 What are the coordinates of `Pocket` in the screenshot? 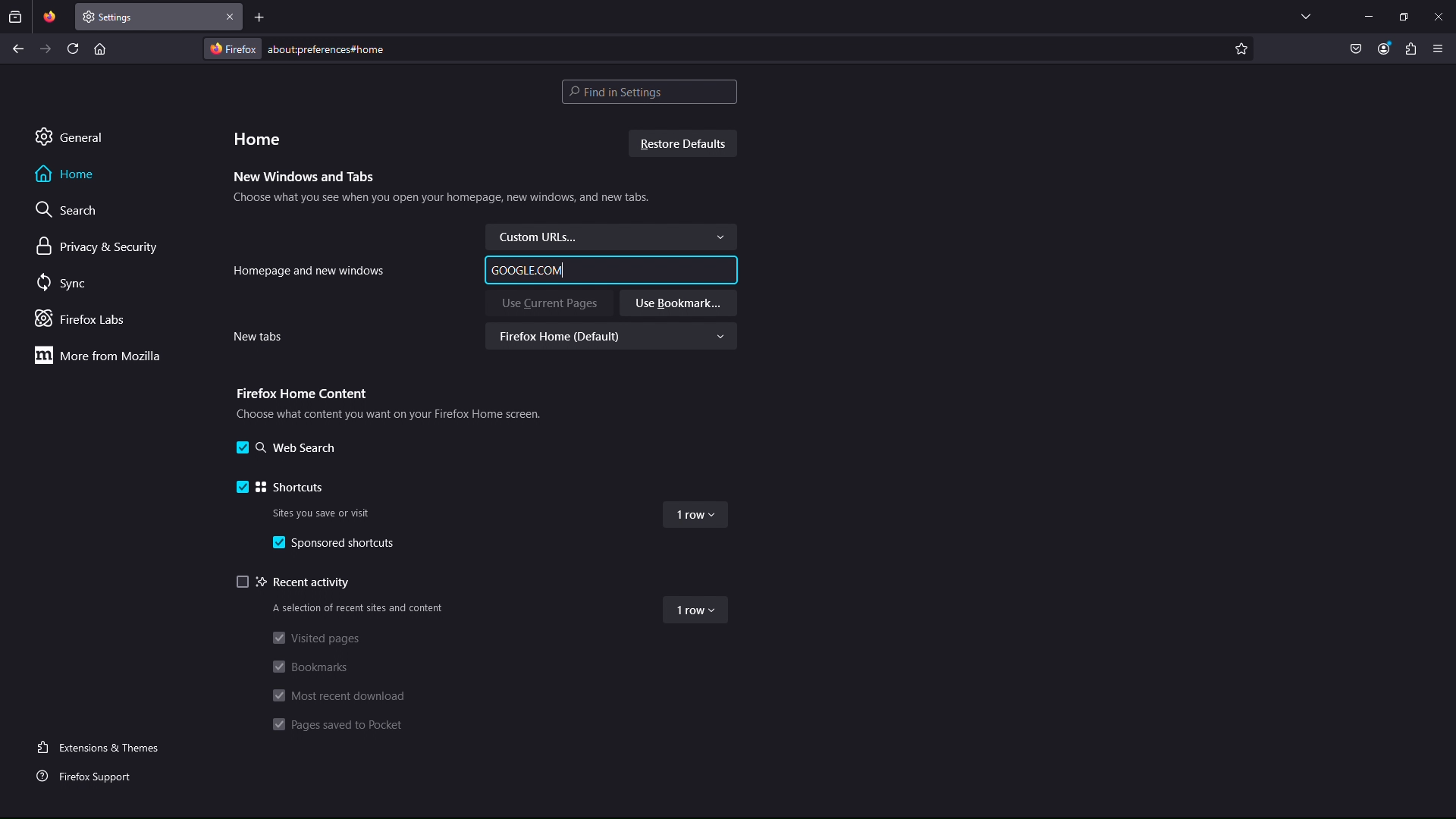 It's located at (1357, 50).